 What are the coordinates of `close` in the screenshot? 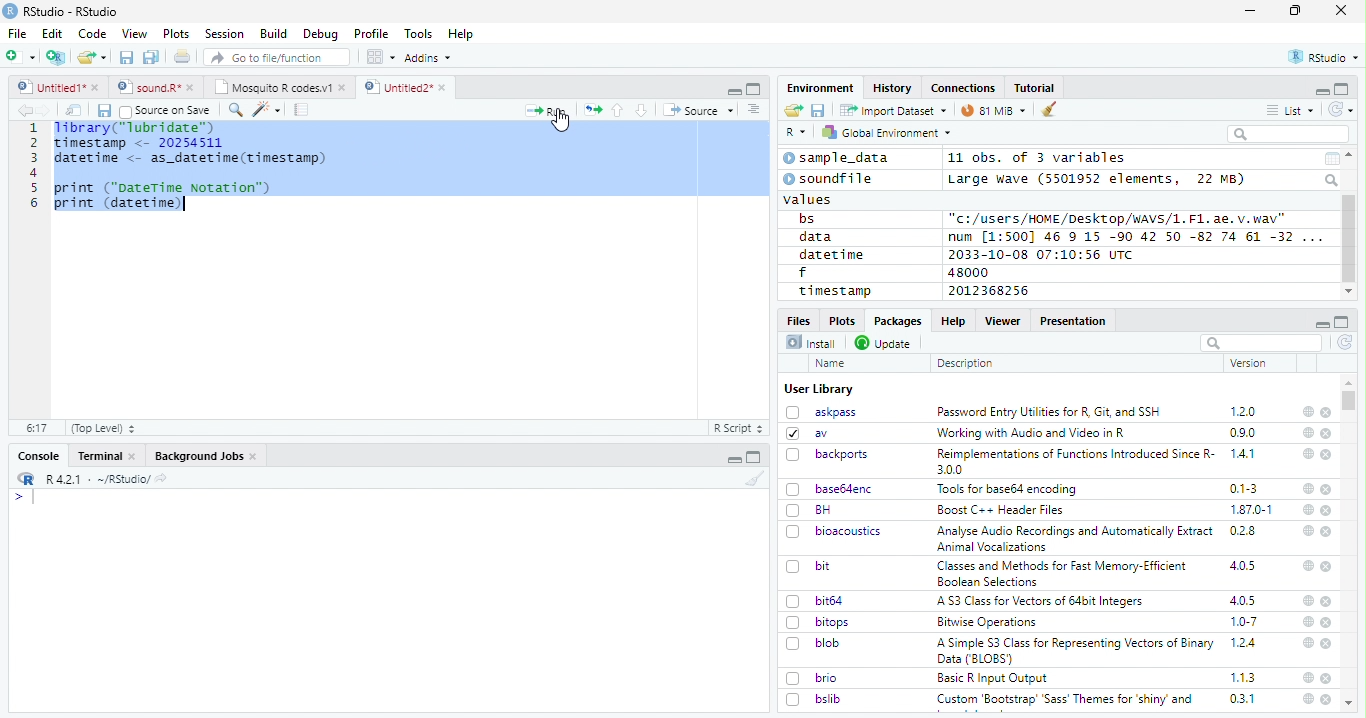 It's located at (1327, 455).